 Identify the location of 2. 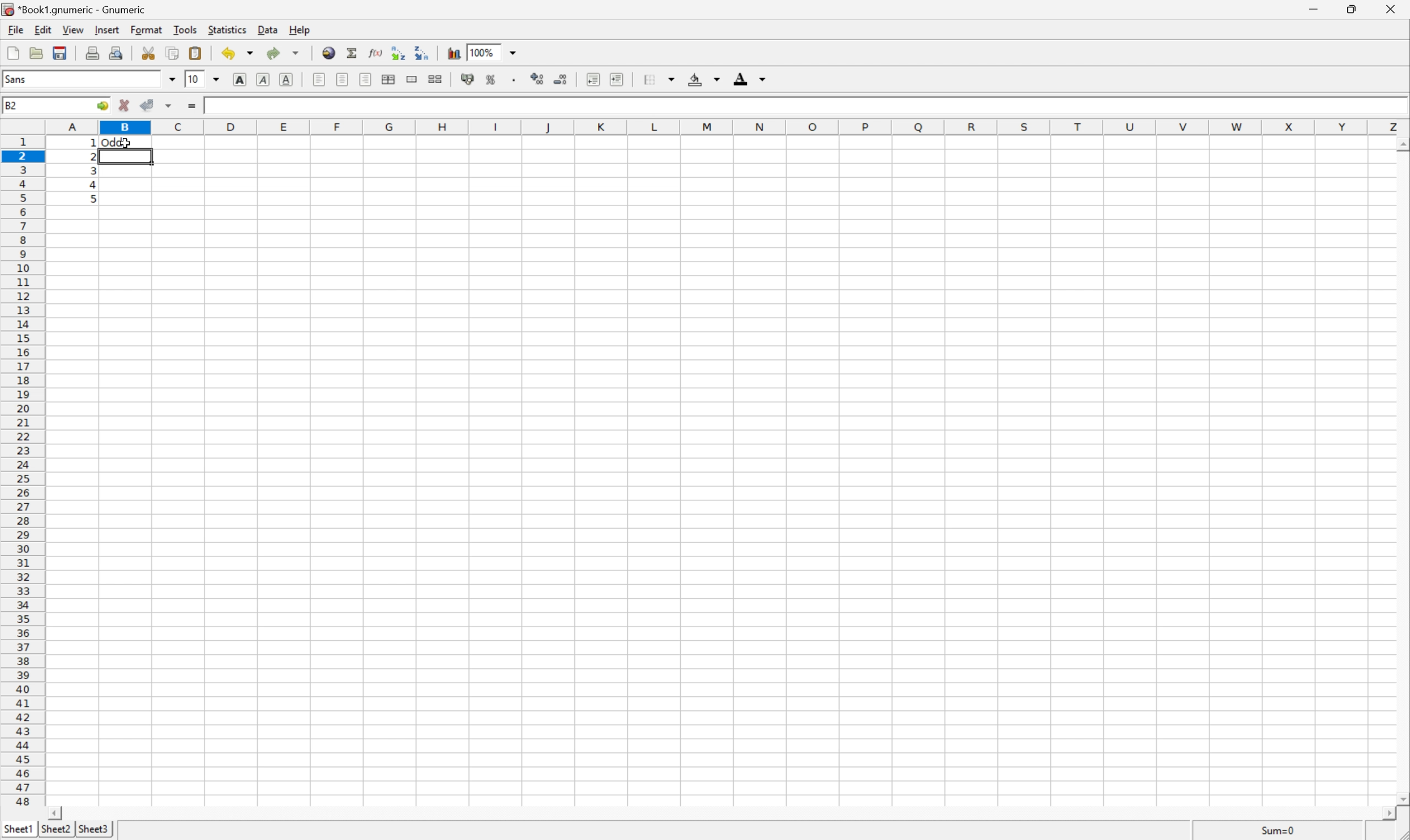
(93, 155).